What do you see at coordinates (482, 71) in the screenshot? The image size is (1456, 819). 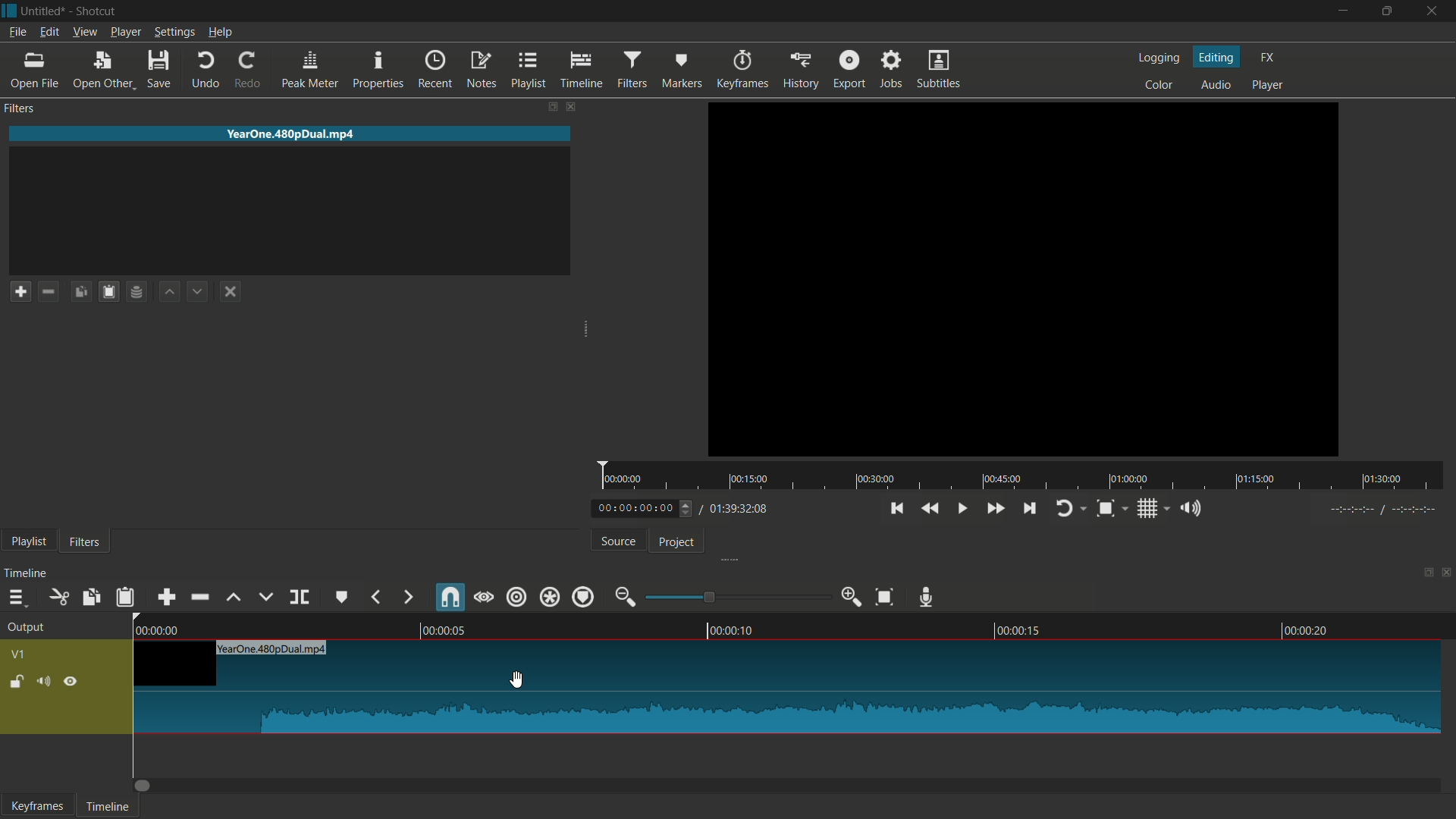 I see `notes` at bounding box center [482, 71].